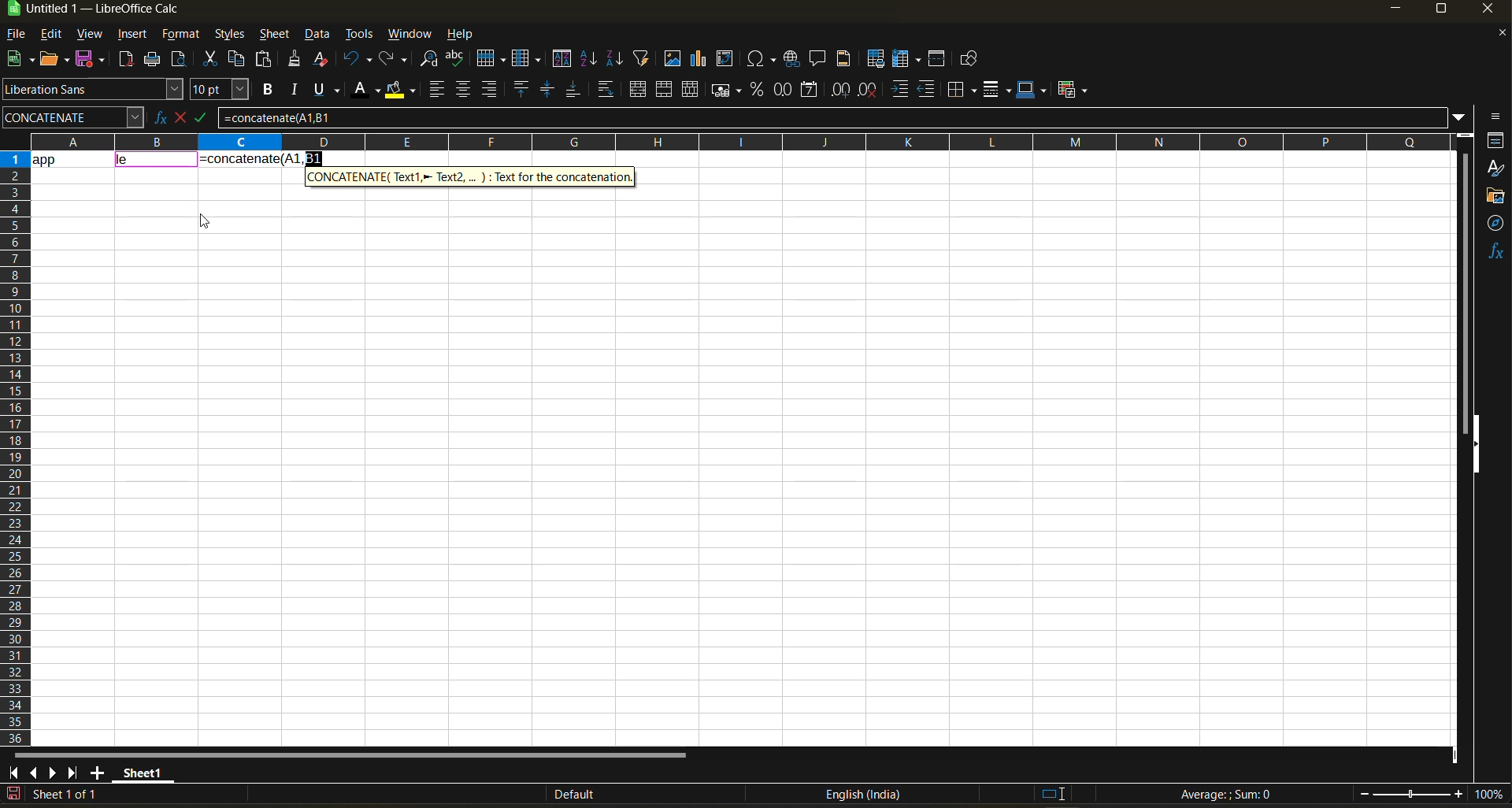  Describe the element at coordinates (605, 91) in the screenshot. I see `wrap text` at that location.